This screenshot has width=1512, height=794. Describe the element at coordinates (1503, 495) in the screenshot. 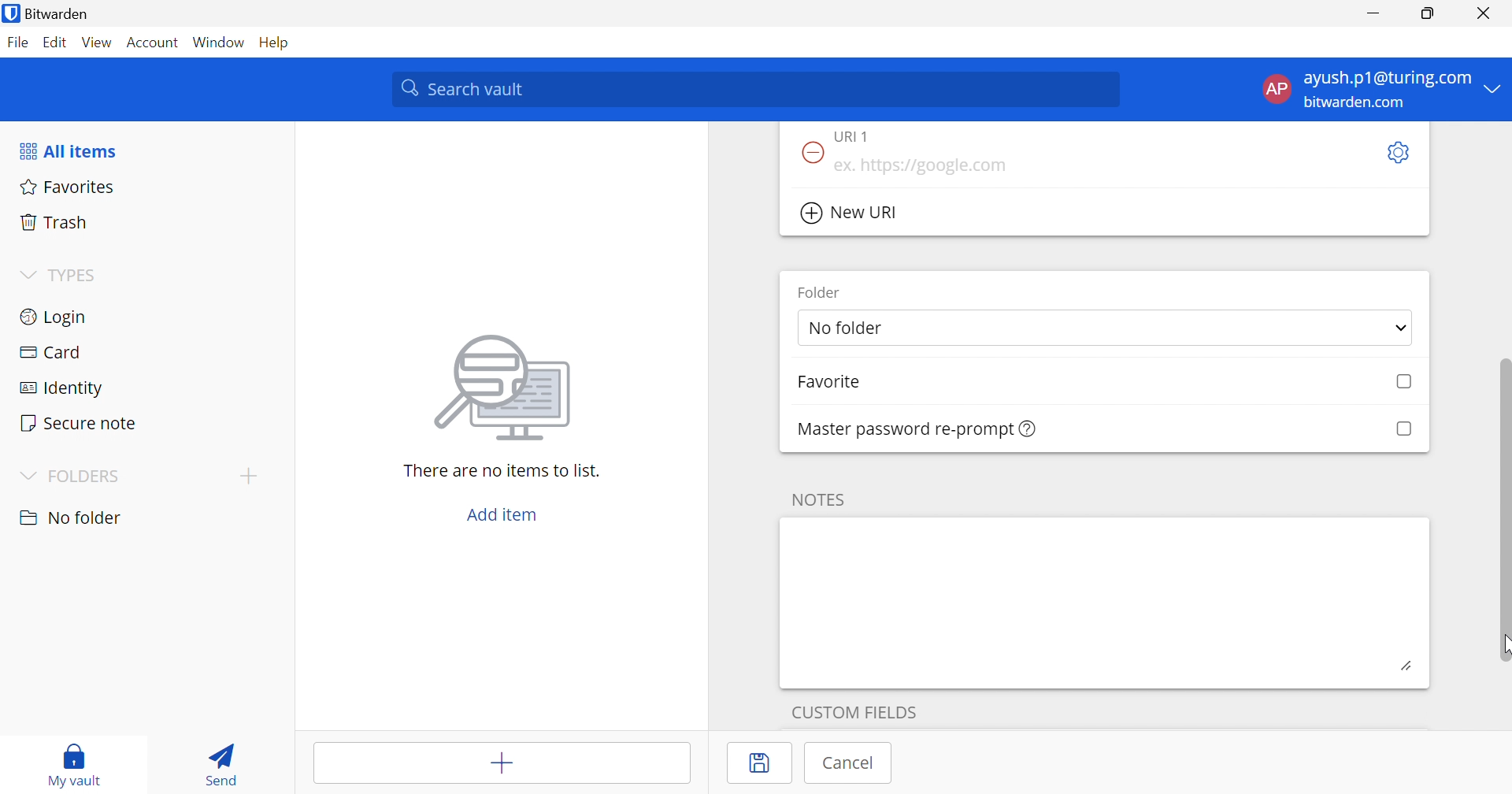

I see `Scroll Bar` at that location.